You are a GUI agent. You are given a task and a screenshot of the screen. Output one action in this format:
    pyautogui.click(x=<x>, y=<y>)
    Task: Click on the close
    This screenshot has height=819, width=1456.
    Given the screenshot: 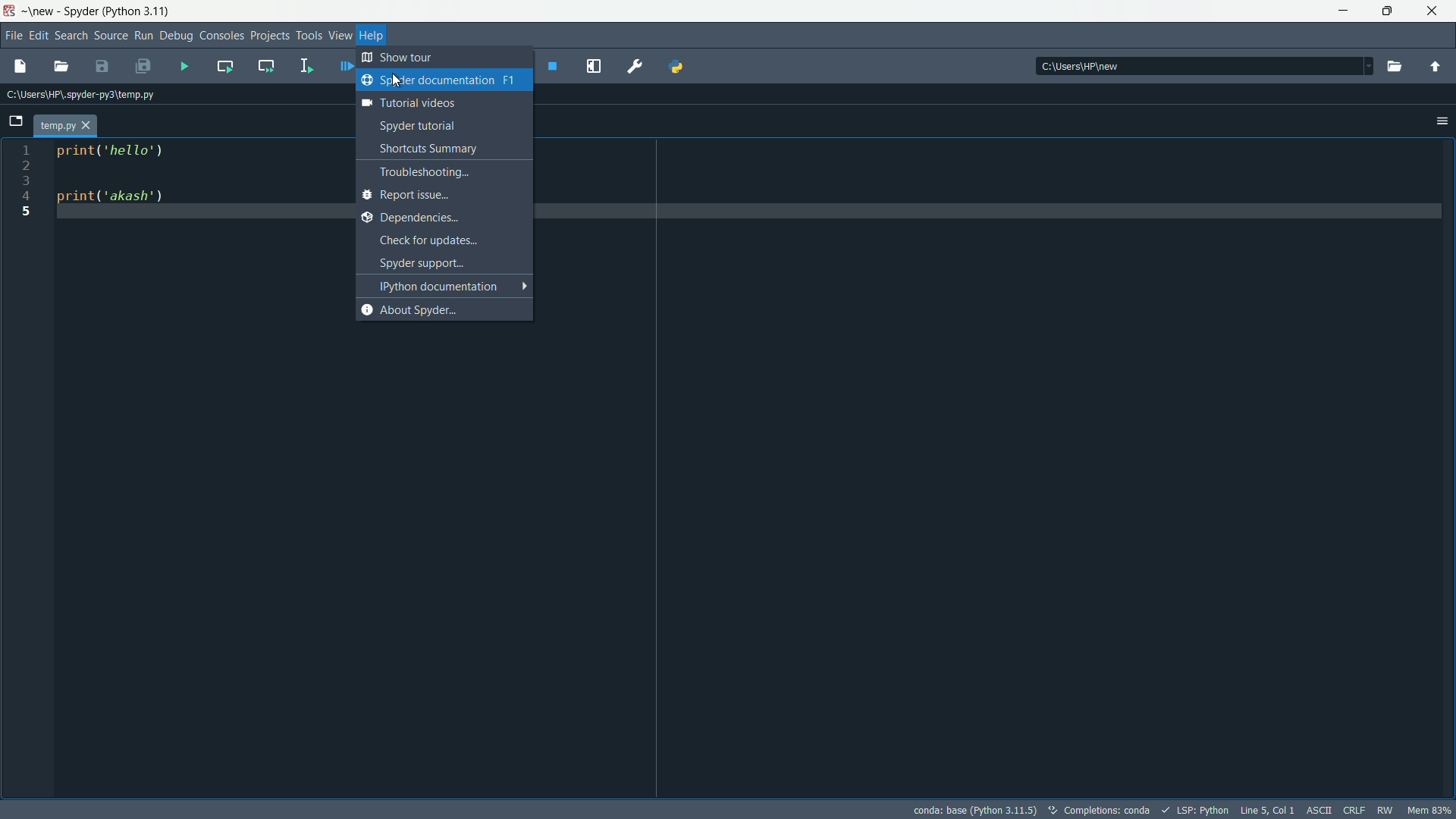 What is the action you would take?
    pyautogui.click(x=89, y=127)
    